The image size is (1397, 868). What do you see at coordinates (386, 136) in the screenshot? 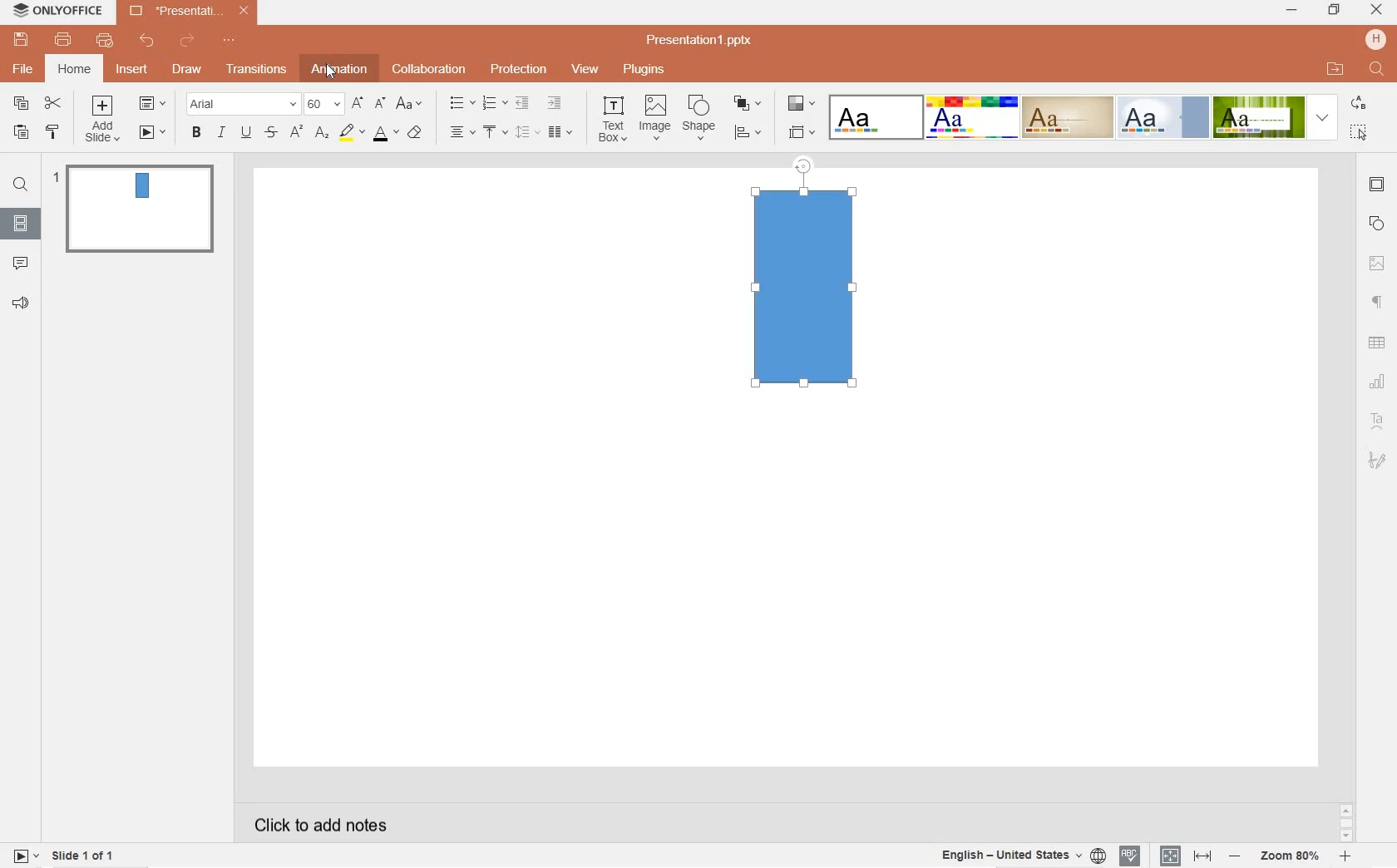
I see `font color` at bounding box center [386, 136].